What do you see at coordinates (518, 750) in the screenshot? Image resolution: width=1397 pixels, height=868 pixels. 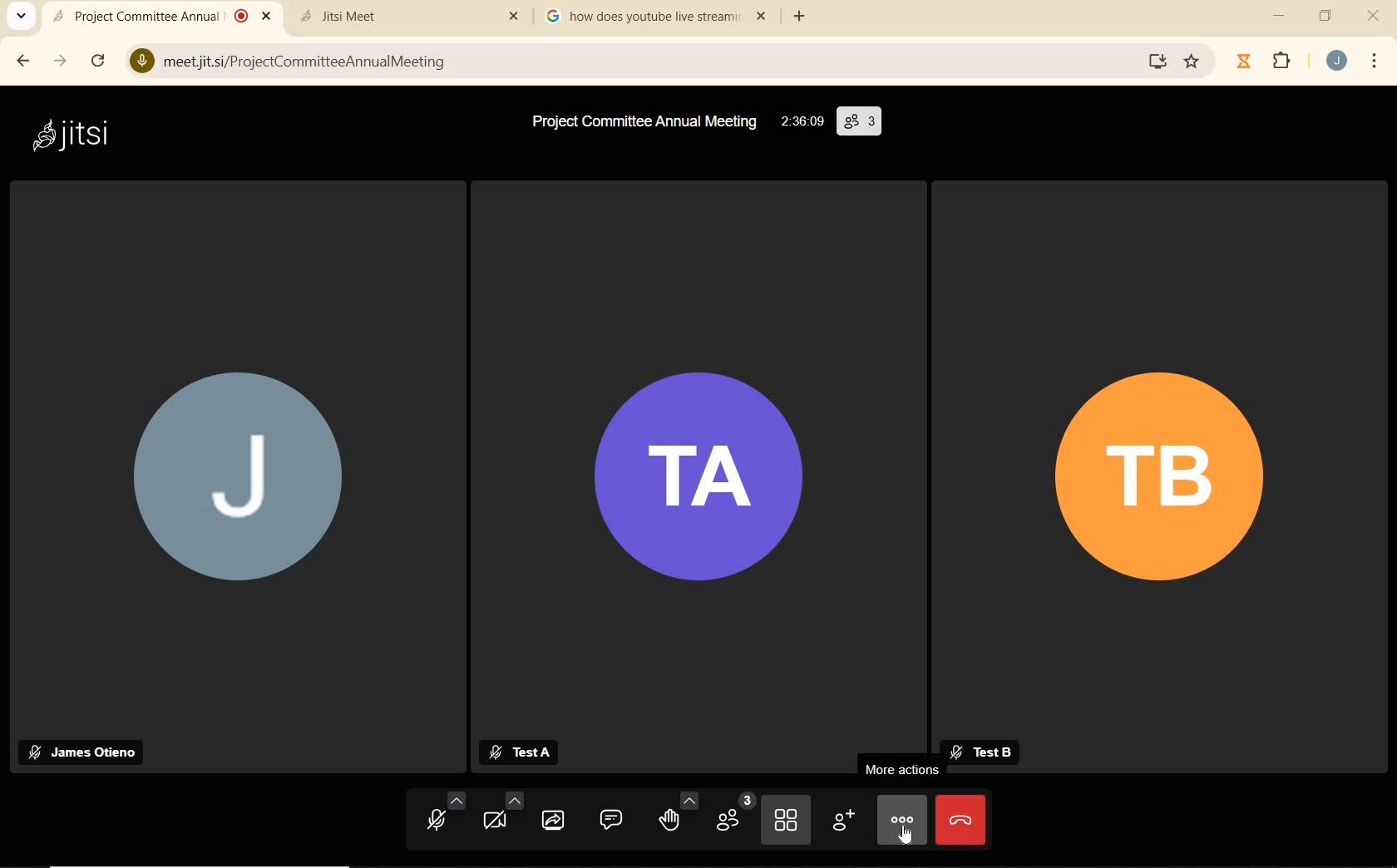 I see `Test A` at bounding box center [518, 750].